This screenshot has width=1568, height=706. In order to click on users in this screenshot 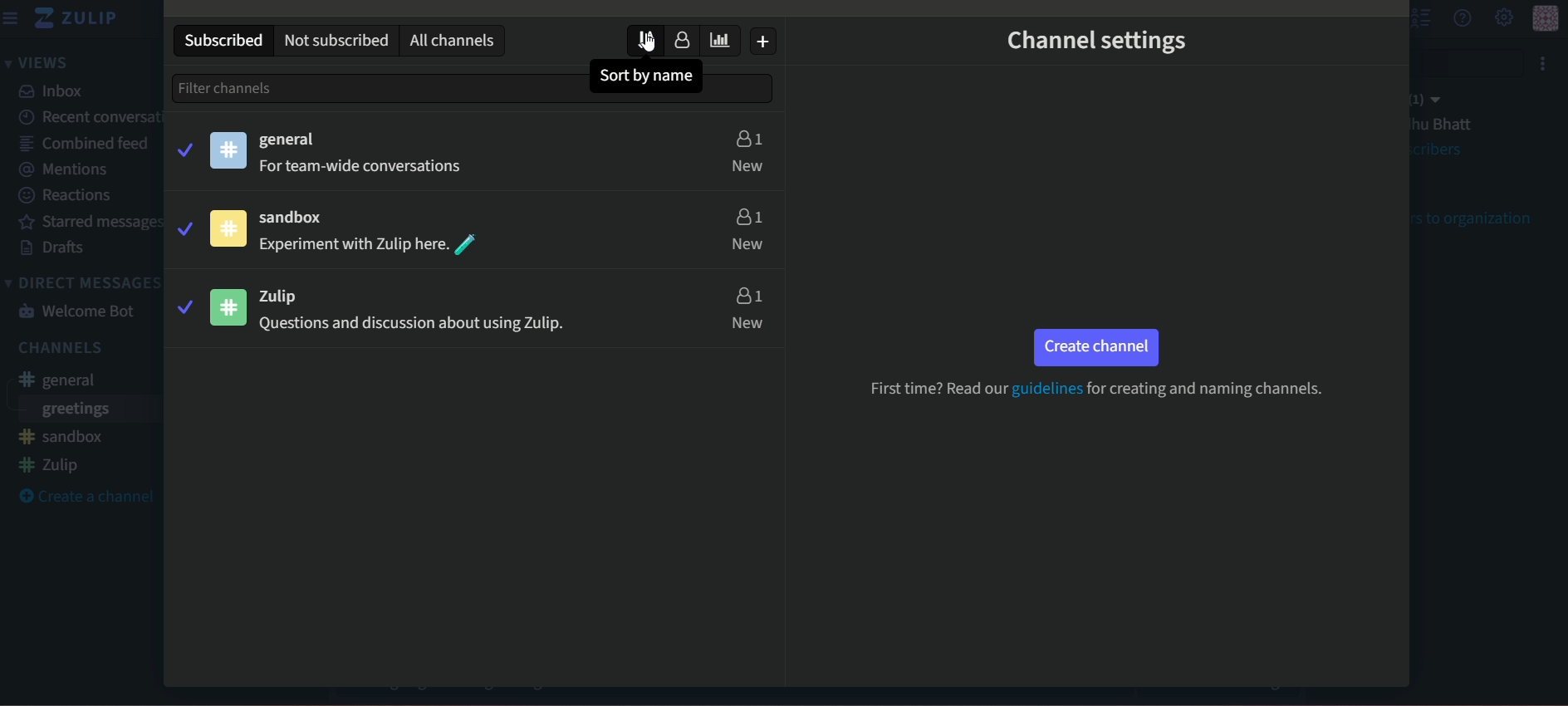, I will do `click(747, 310)`.